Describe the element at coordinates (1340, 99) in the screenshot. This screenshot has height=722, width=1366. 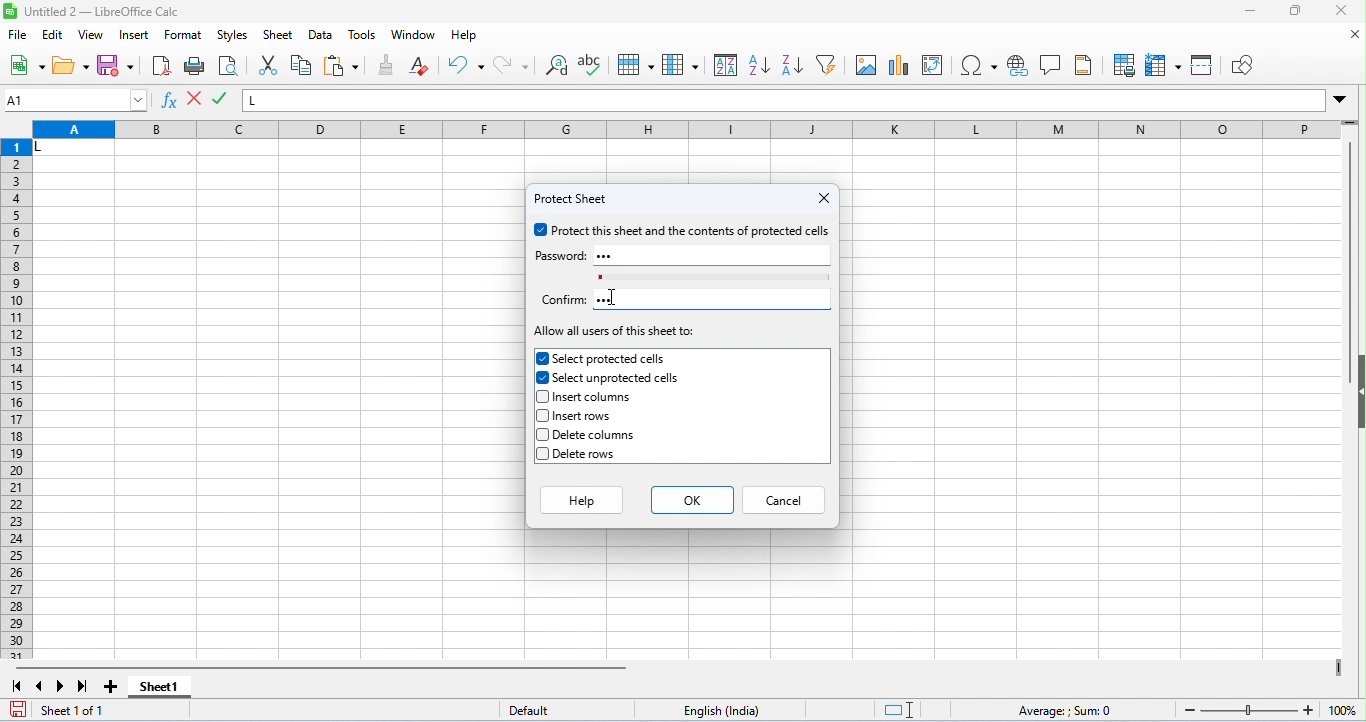
I see `drop down` at that location.